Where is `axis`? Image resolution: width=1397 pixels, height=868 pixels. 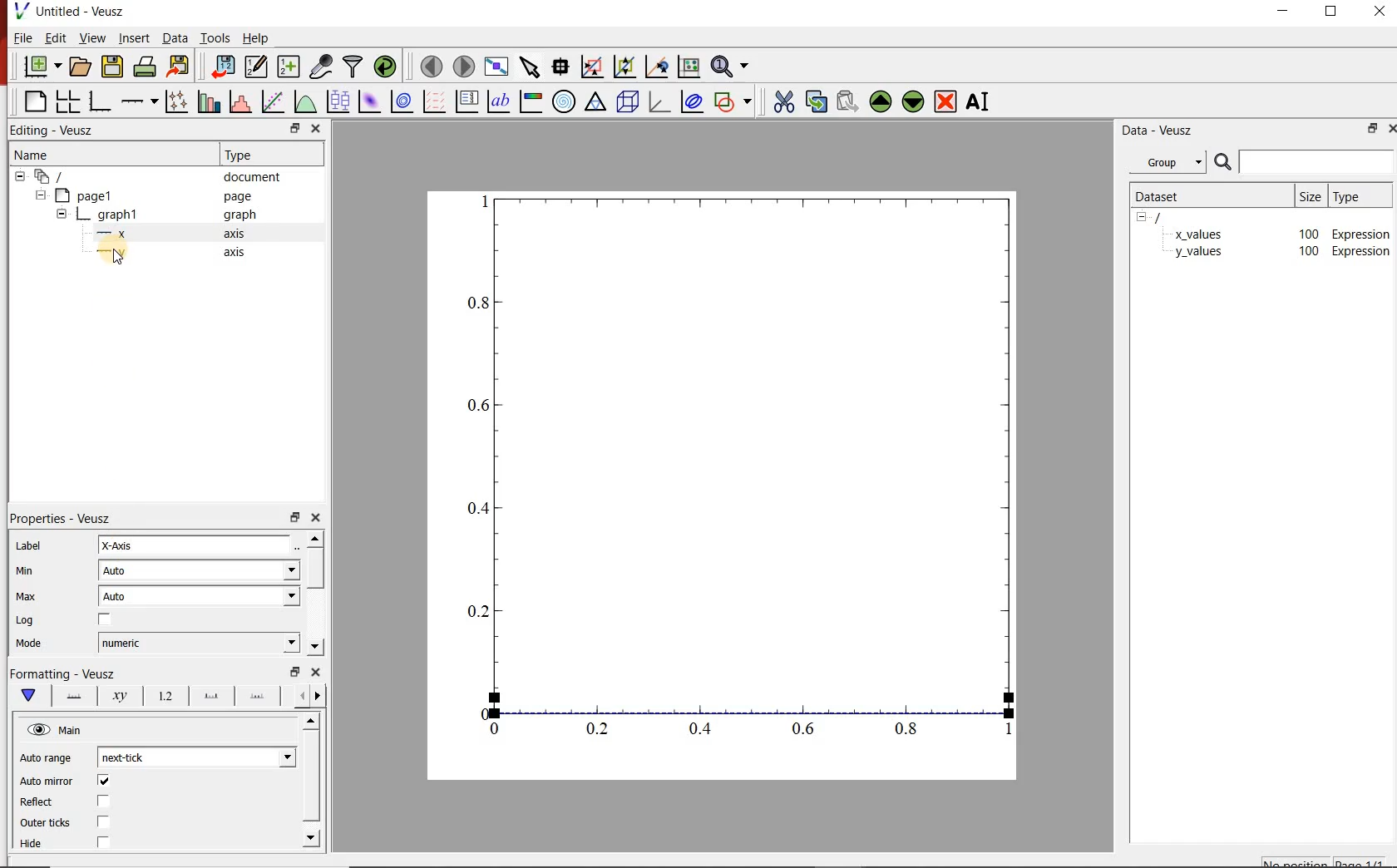 axis is located at coordinates (234, 253).